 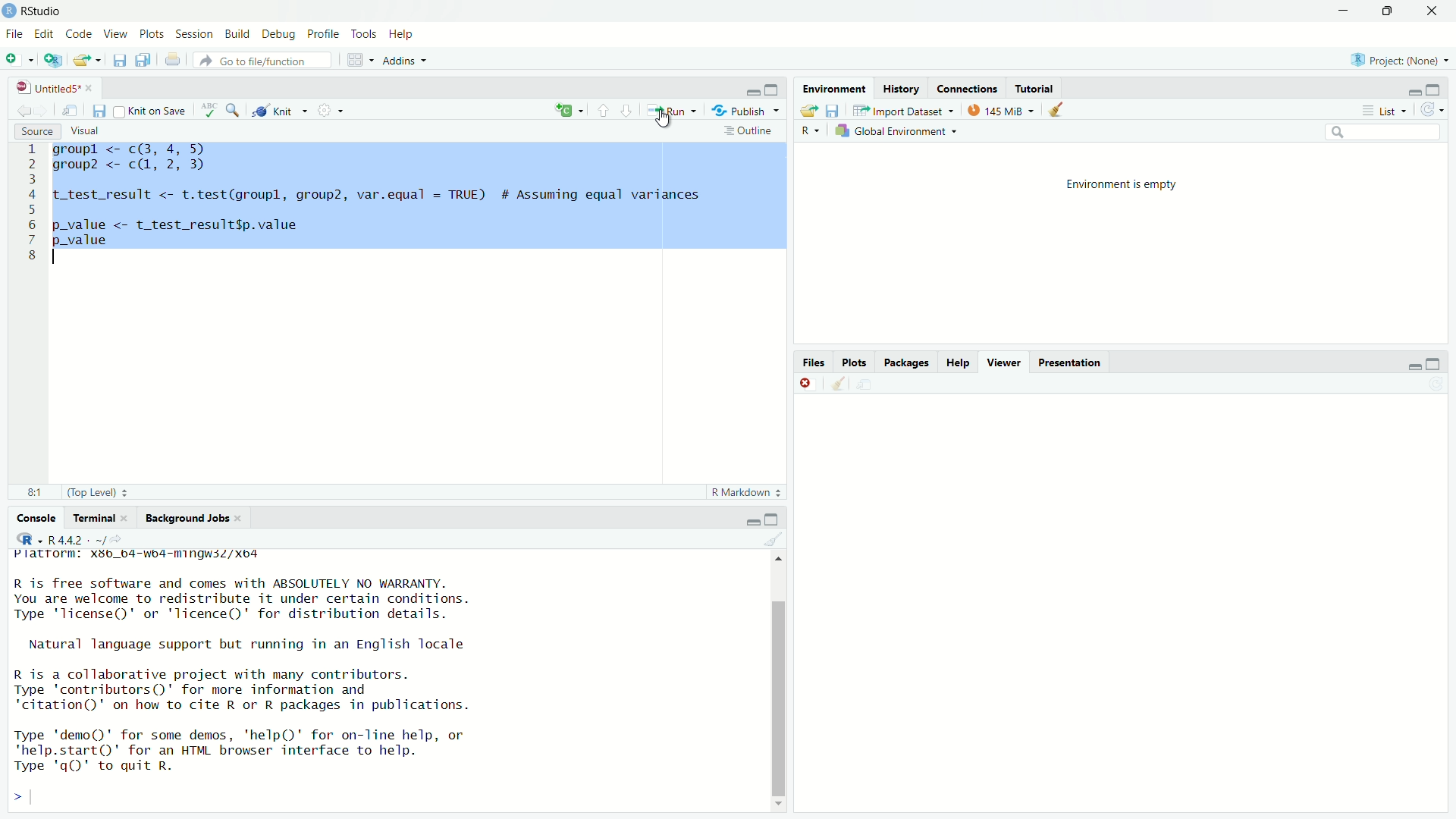 What do you see at coordinates (120, 539) in the screenshot?
I see `view current working` at bounding box center [120, 539].